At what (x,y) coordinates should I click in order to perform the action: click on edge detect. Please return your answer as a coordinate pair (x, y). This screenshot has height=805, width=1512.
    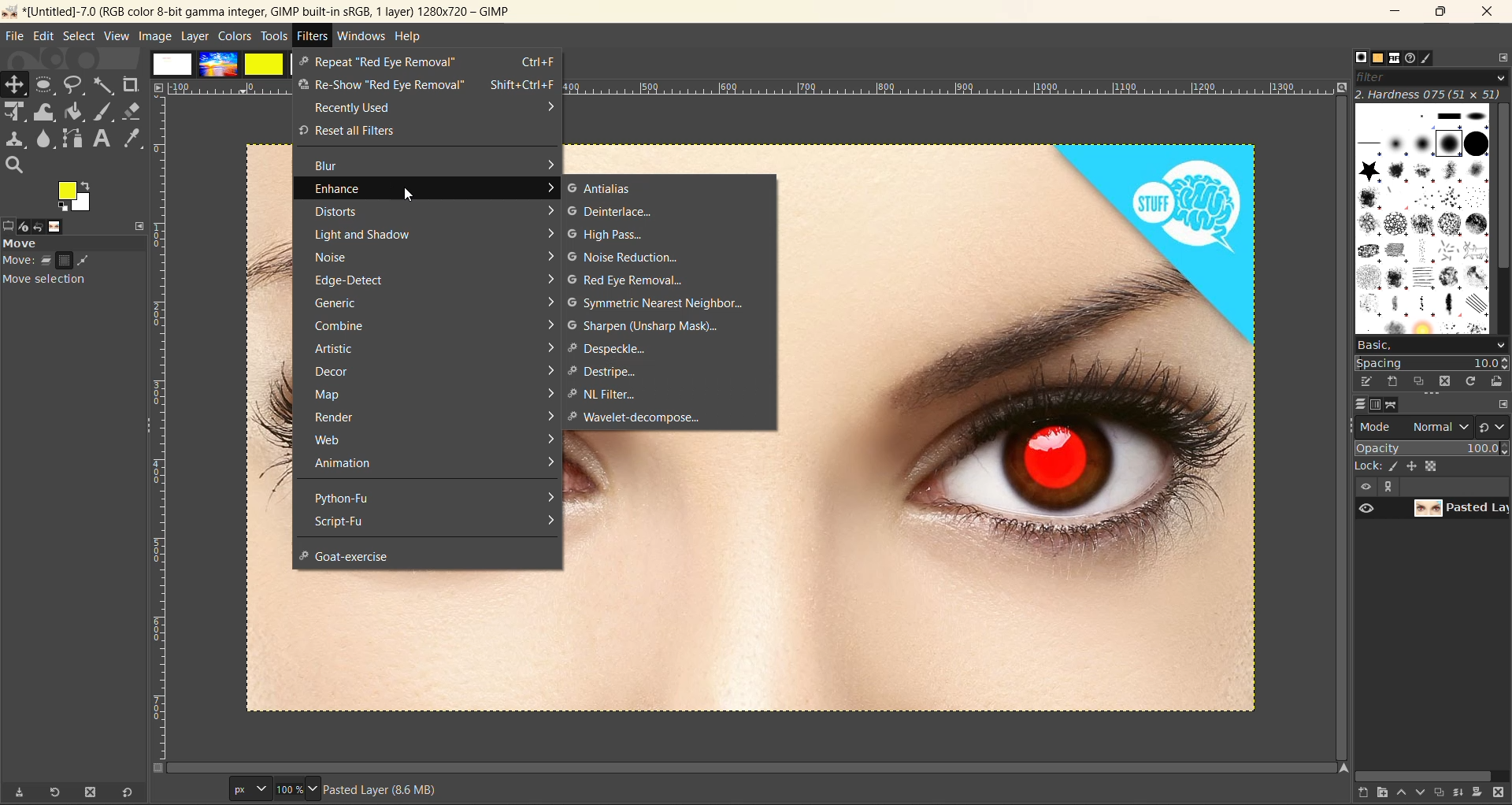
    Looking at the image, I should click on (434, 280).